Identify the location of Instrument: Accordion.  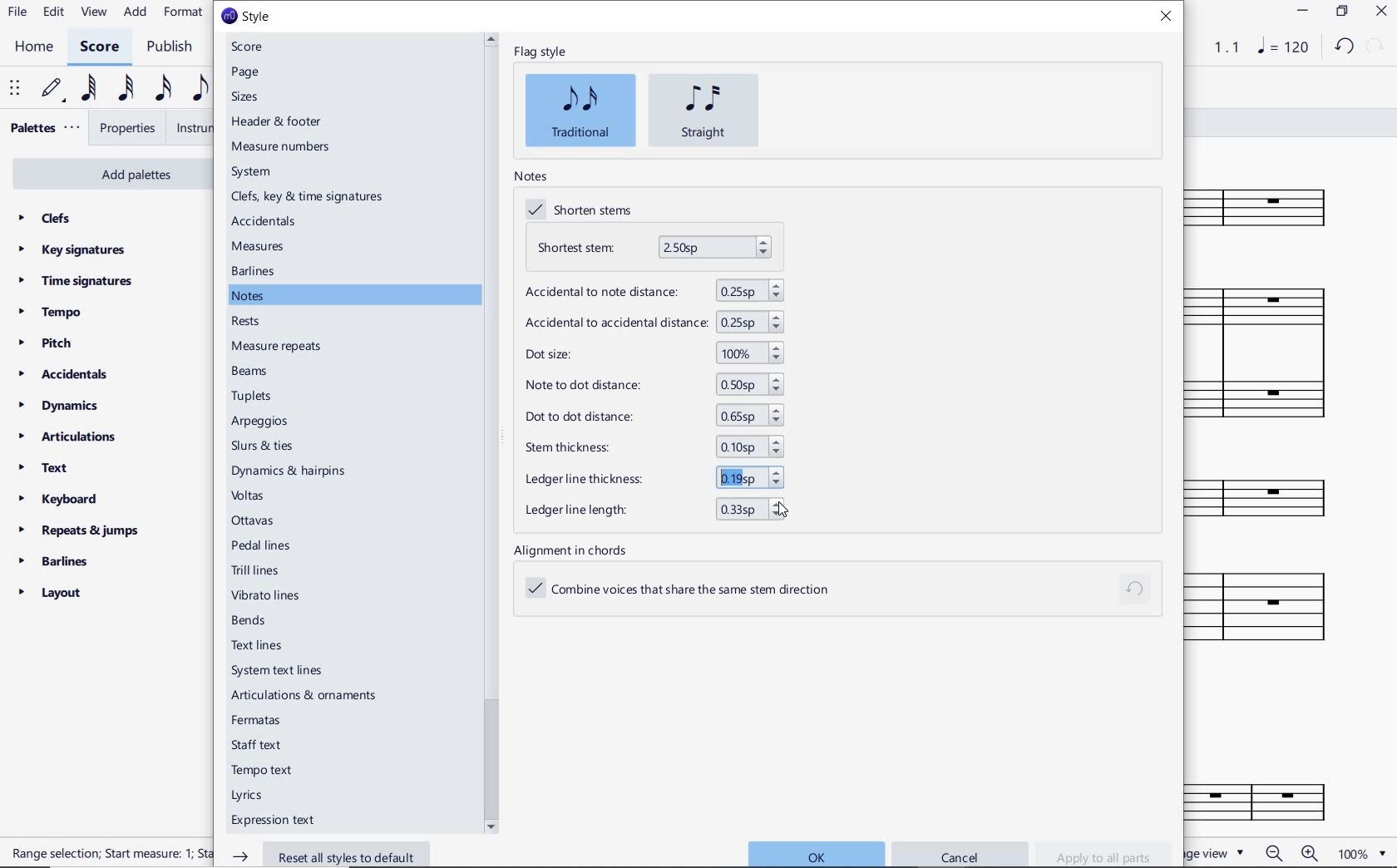
(1271, 353).